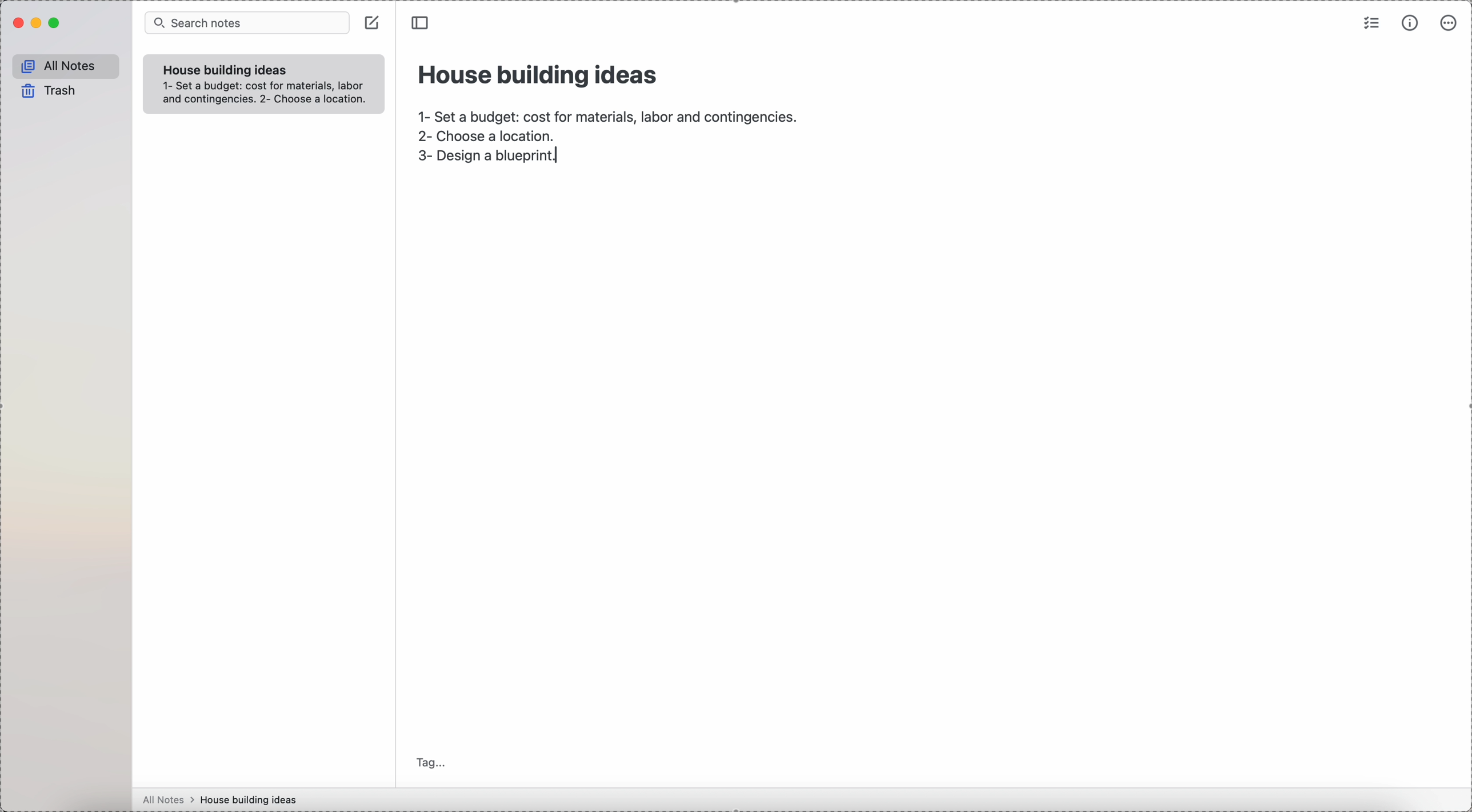 Image resolution: width=1472 pixels, height=812 pixels. I want to click on all notes, so click(169, 800).